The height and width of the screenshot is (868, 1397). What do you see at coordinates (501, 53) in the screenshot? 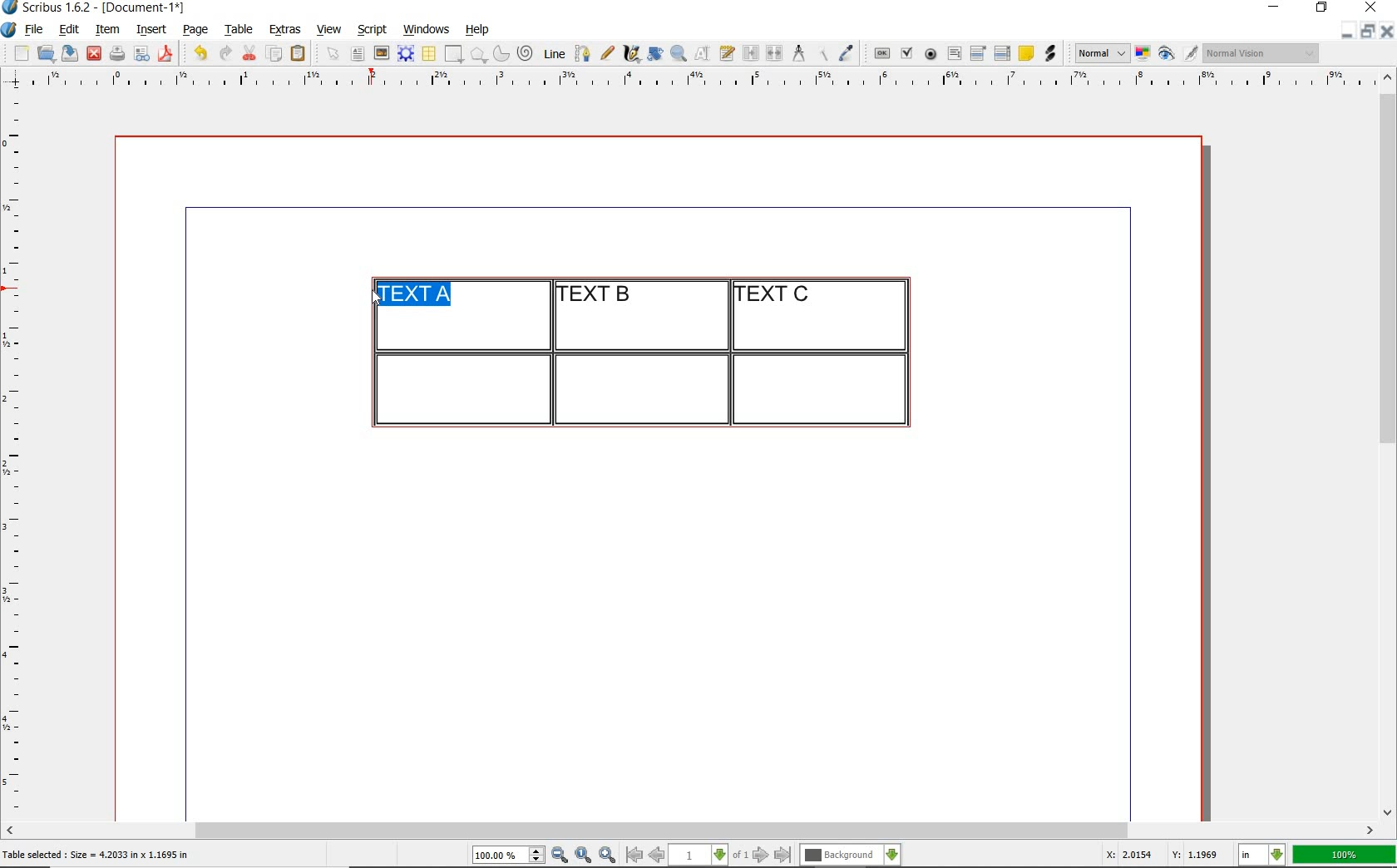
I see `arc` at bounding box center [501, 53].